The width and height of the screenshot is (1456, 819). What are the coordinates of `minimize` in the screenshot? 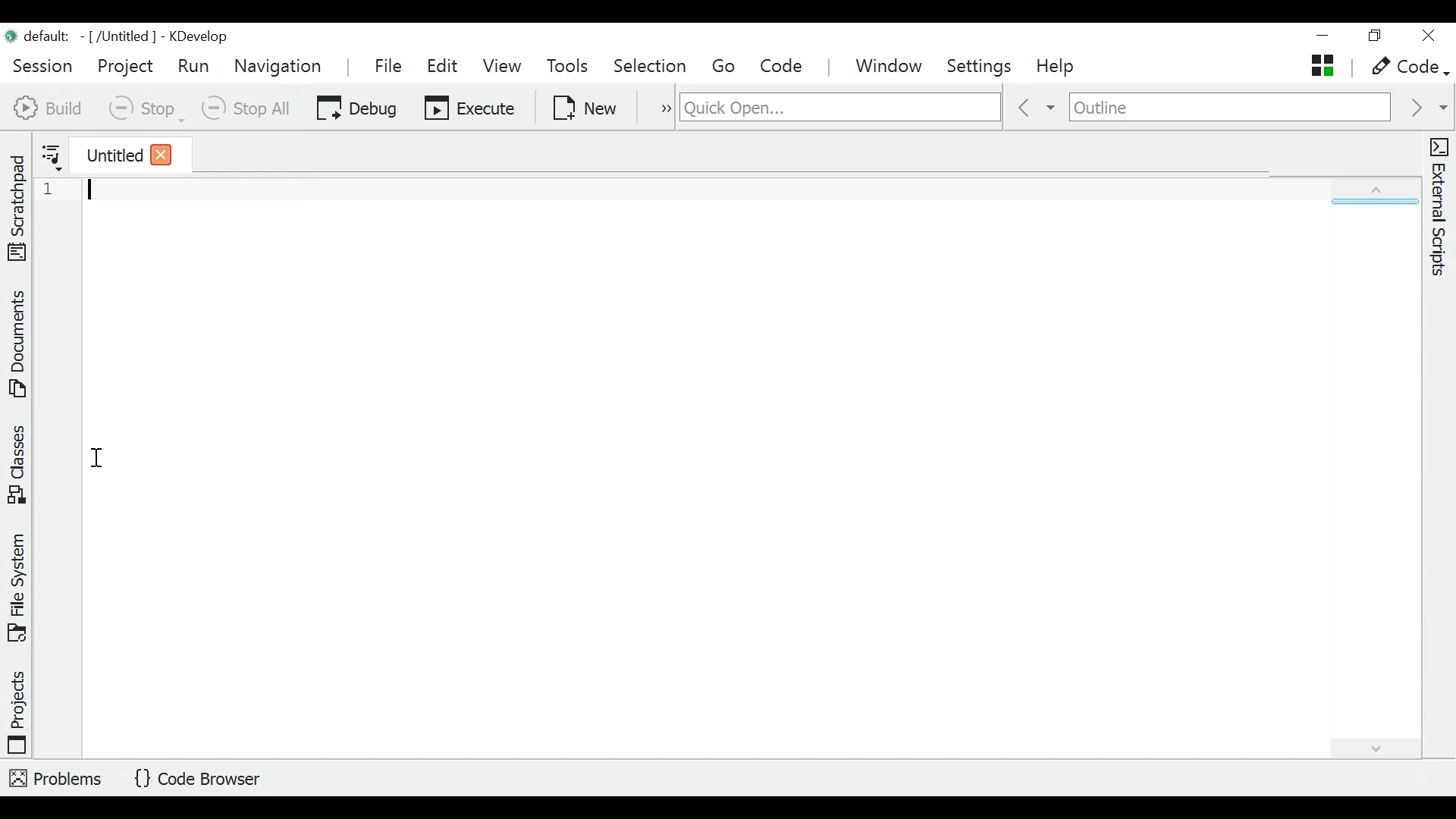 It's located at (1322, 36).